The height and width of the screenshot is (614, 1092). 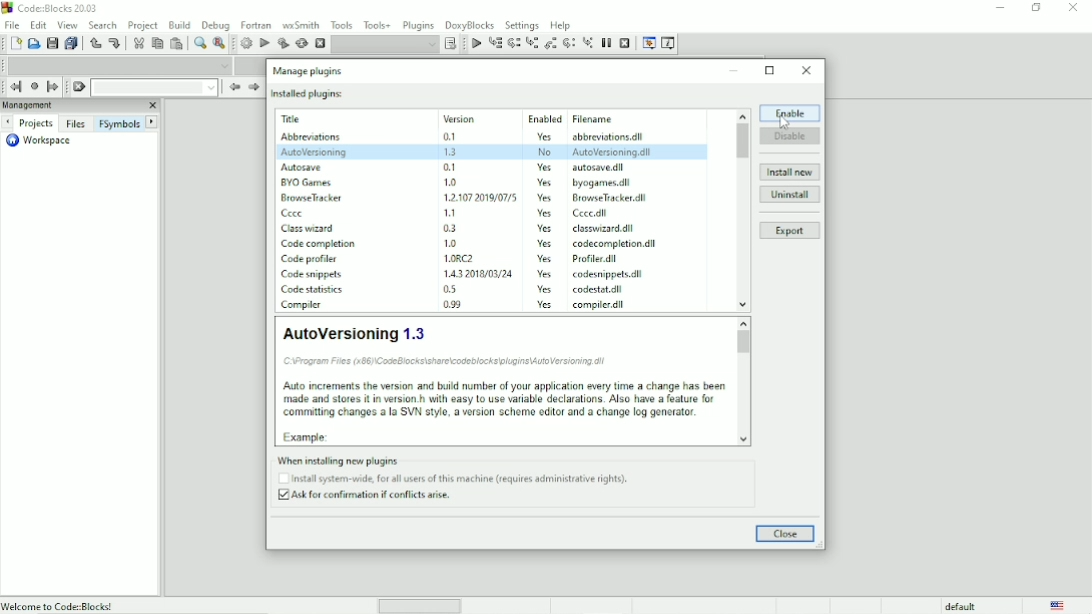 What do you see at coordinates (616, 167) in the screenshot?
I see `file` at bounding box center [616, 167].